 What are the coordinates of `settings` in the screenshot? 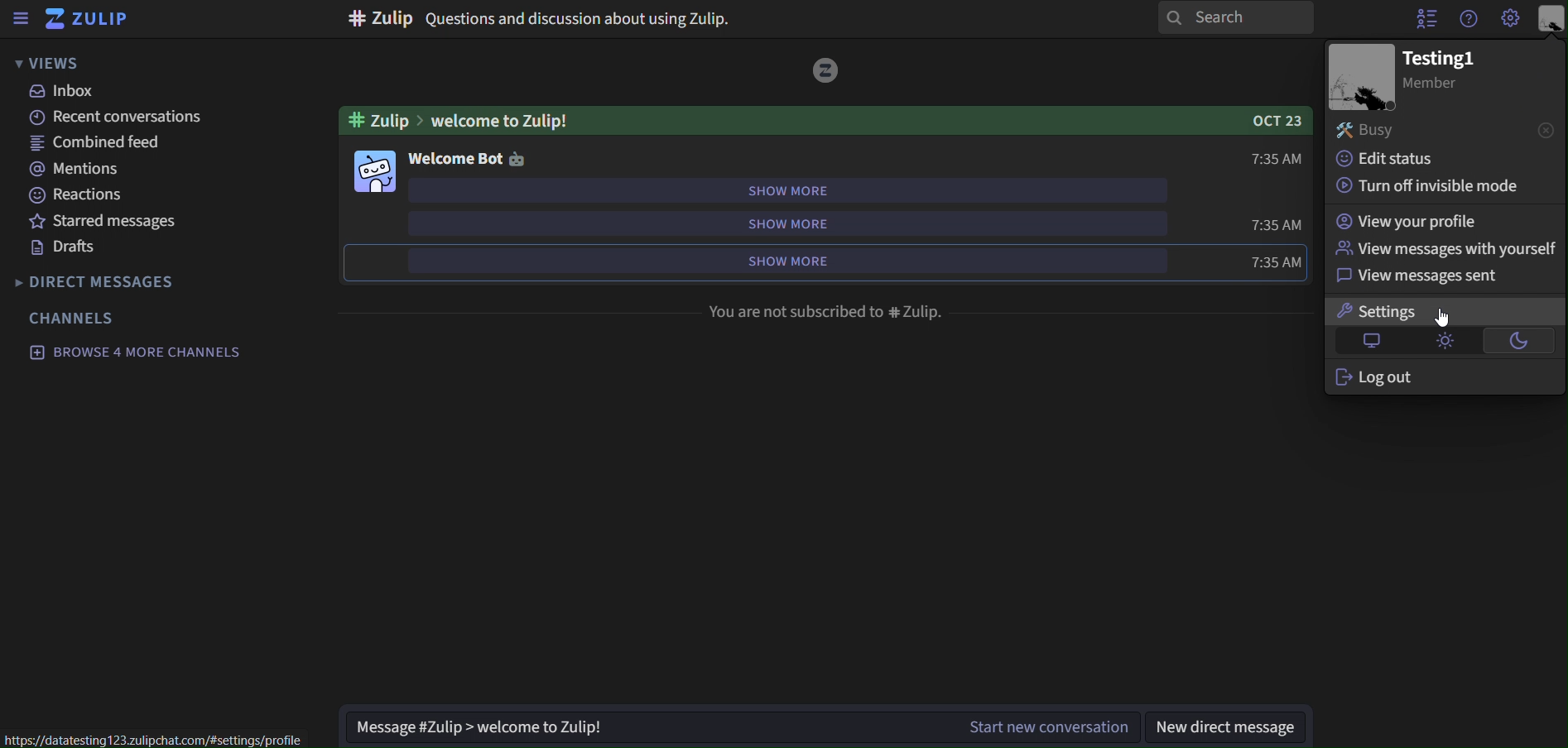 It's located at (1397, 310).